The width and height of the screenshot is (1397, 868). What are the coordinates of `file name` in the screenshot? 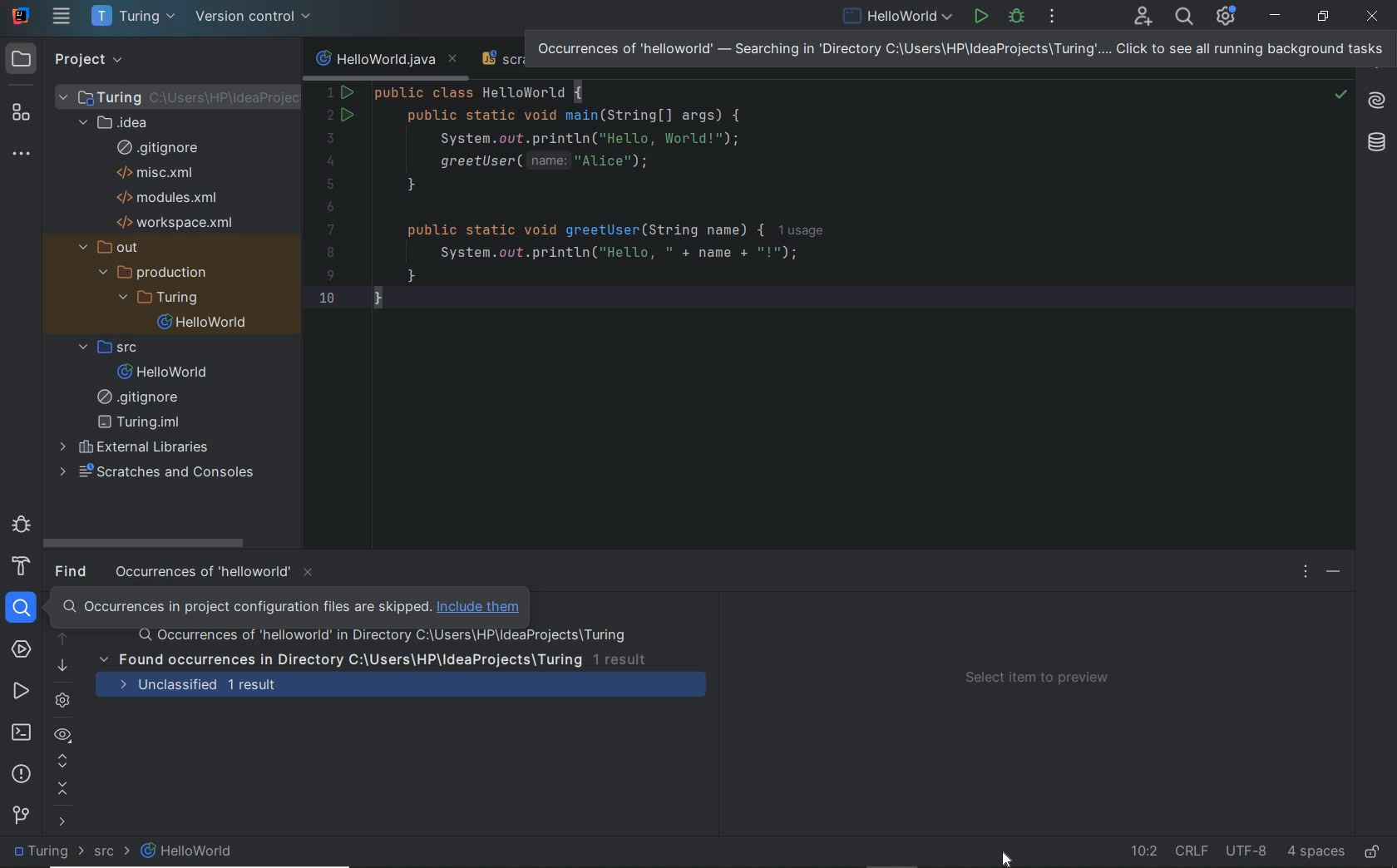 It's located at (388, 59).